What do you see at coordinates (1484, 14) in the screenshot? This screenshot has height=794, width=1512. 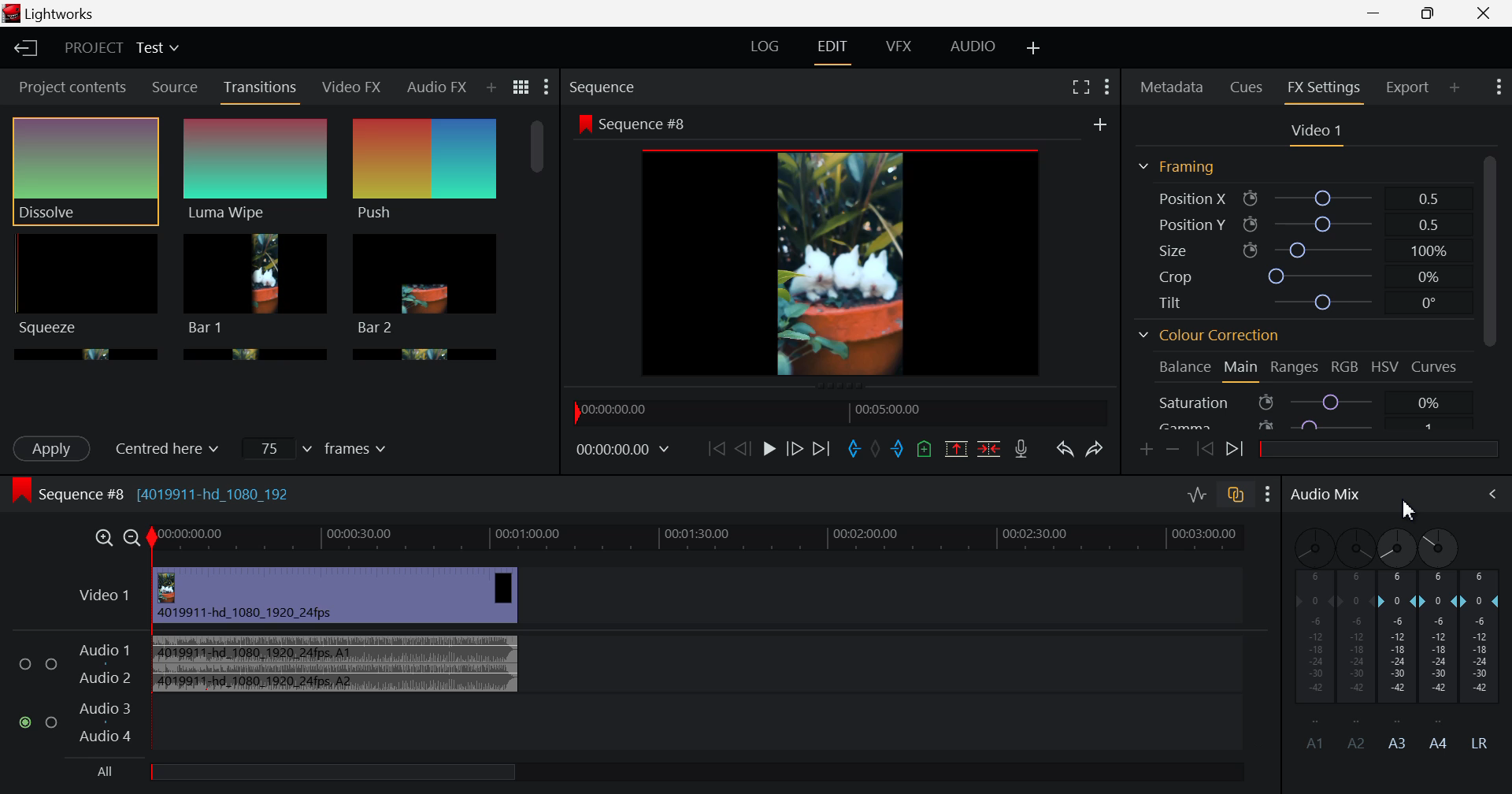 I see `Close` at bounding box center [1484, 14].